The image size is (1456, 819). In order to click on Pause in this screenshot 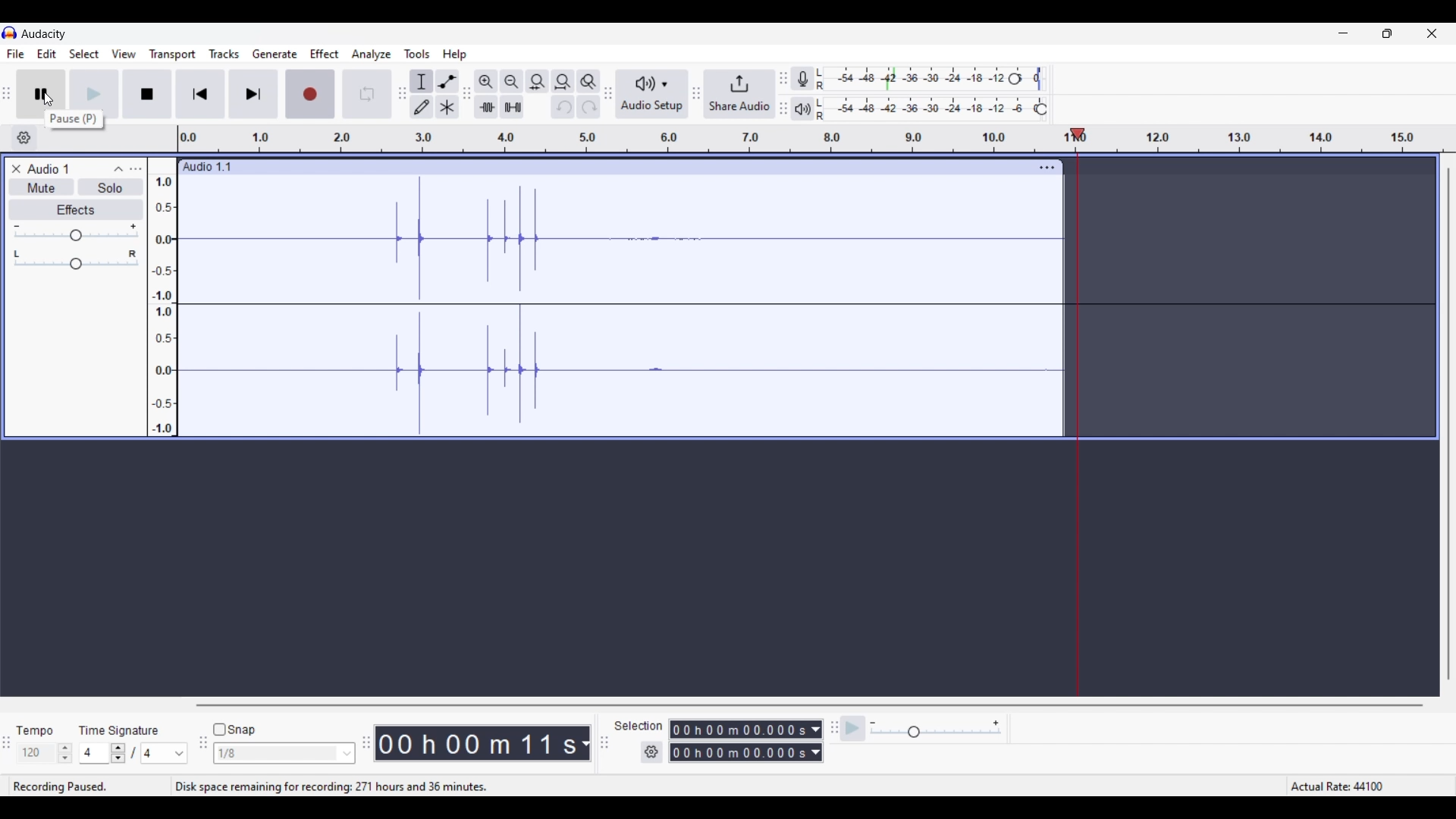, I will do `click(40, 89)`.